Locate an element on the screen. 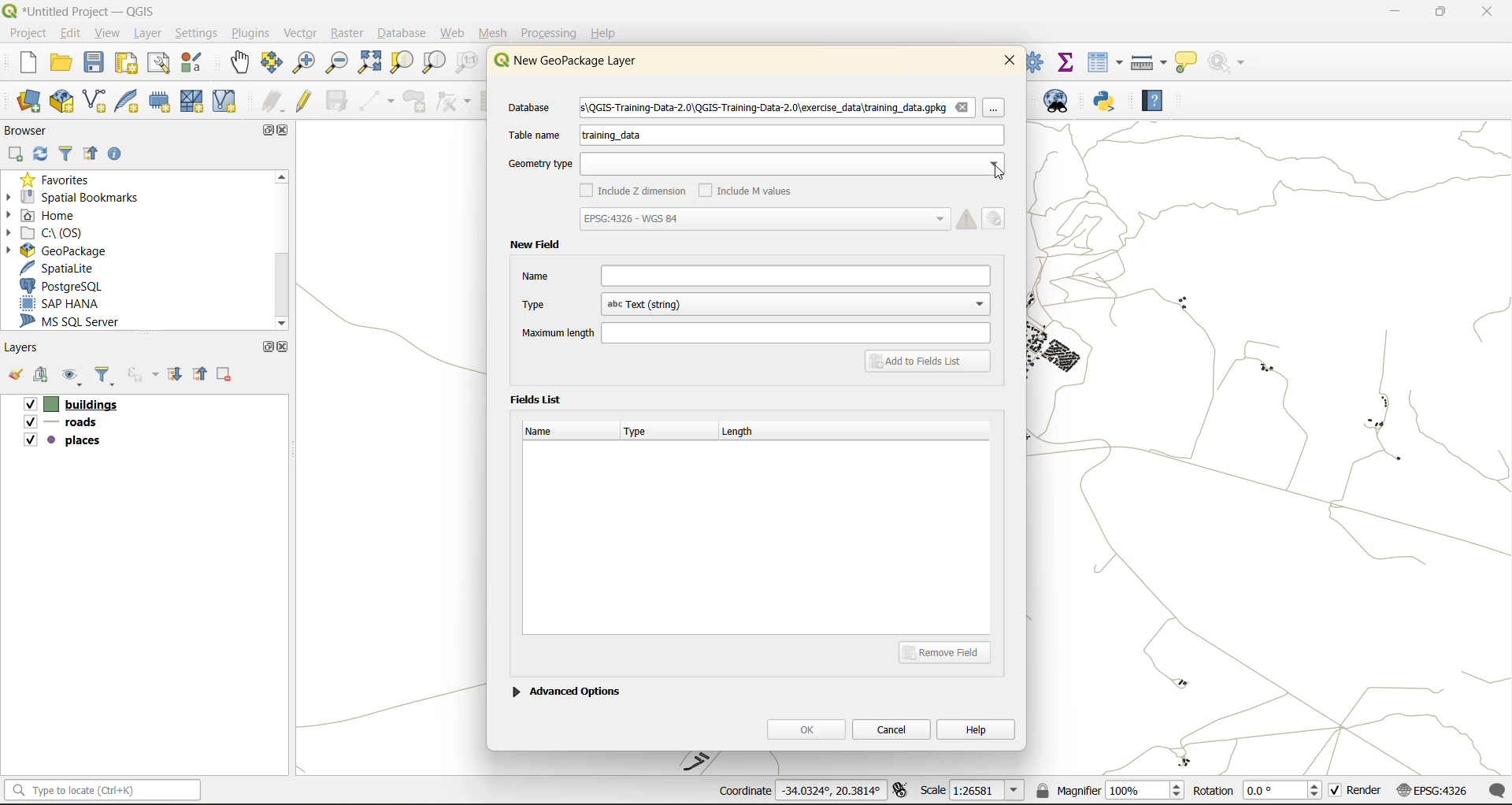 The width and height of the screenshot is (1512, 805). edit is located at coordinates (72, 32).